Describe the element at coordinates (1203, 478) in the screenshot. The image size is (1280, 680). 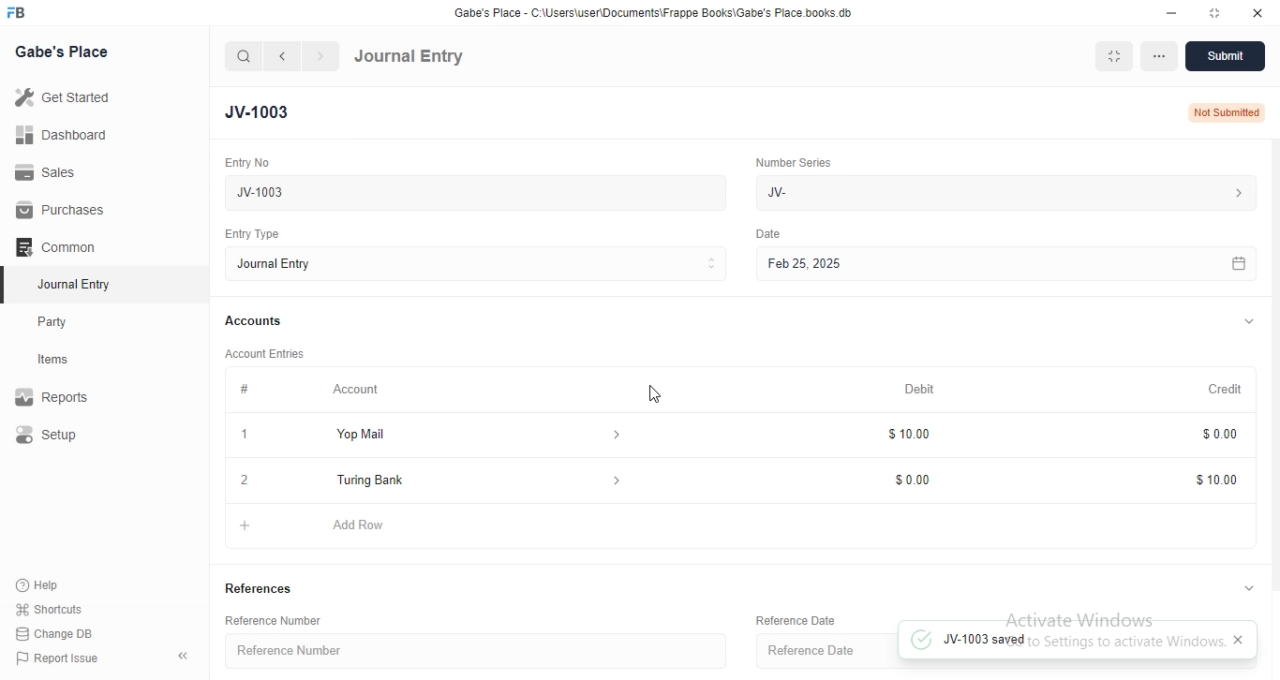
I see `$10.00` at that location.